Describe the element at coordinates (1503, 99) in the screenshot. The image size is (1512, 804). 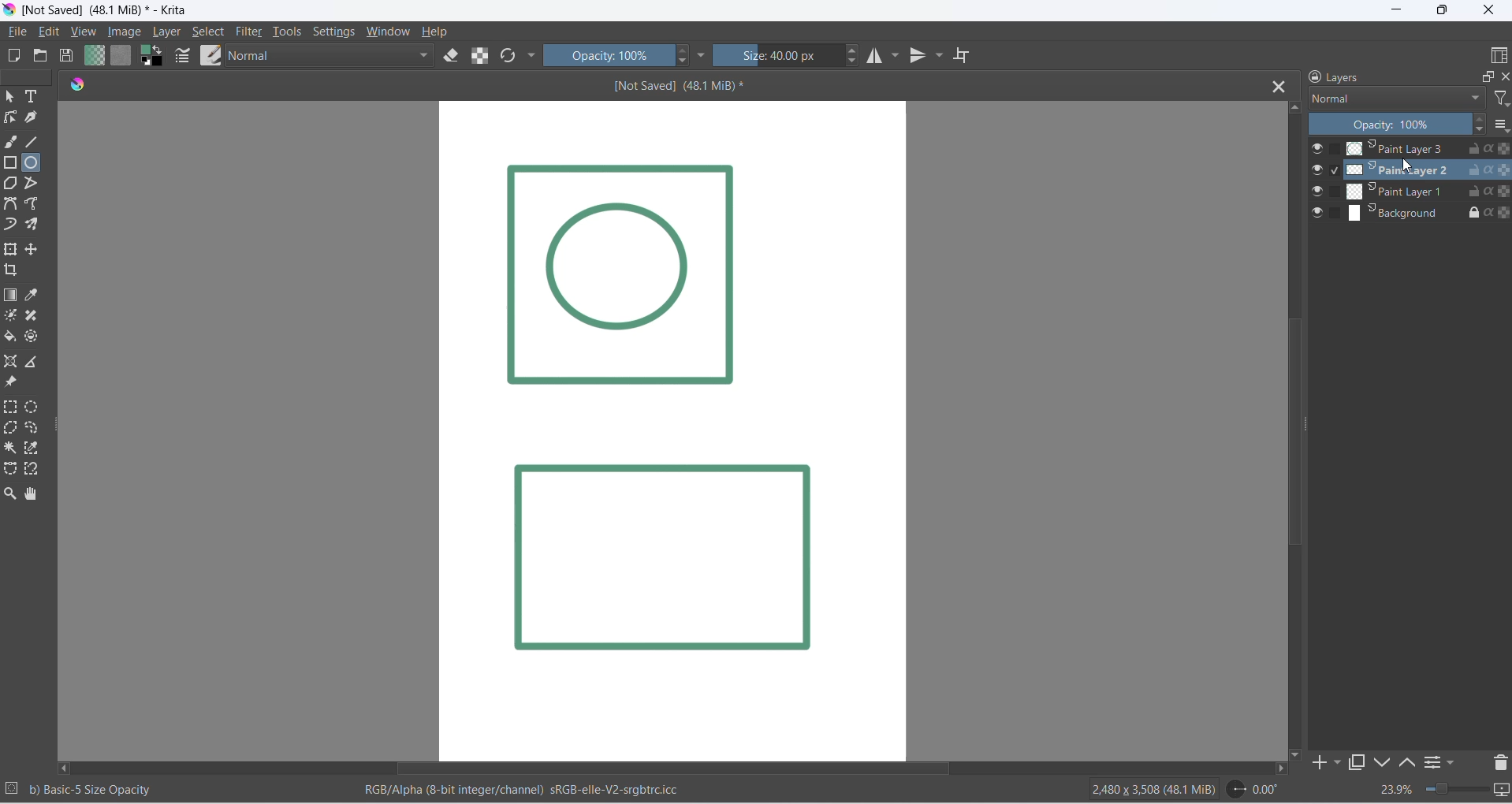
I see `filter` at that location.